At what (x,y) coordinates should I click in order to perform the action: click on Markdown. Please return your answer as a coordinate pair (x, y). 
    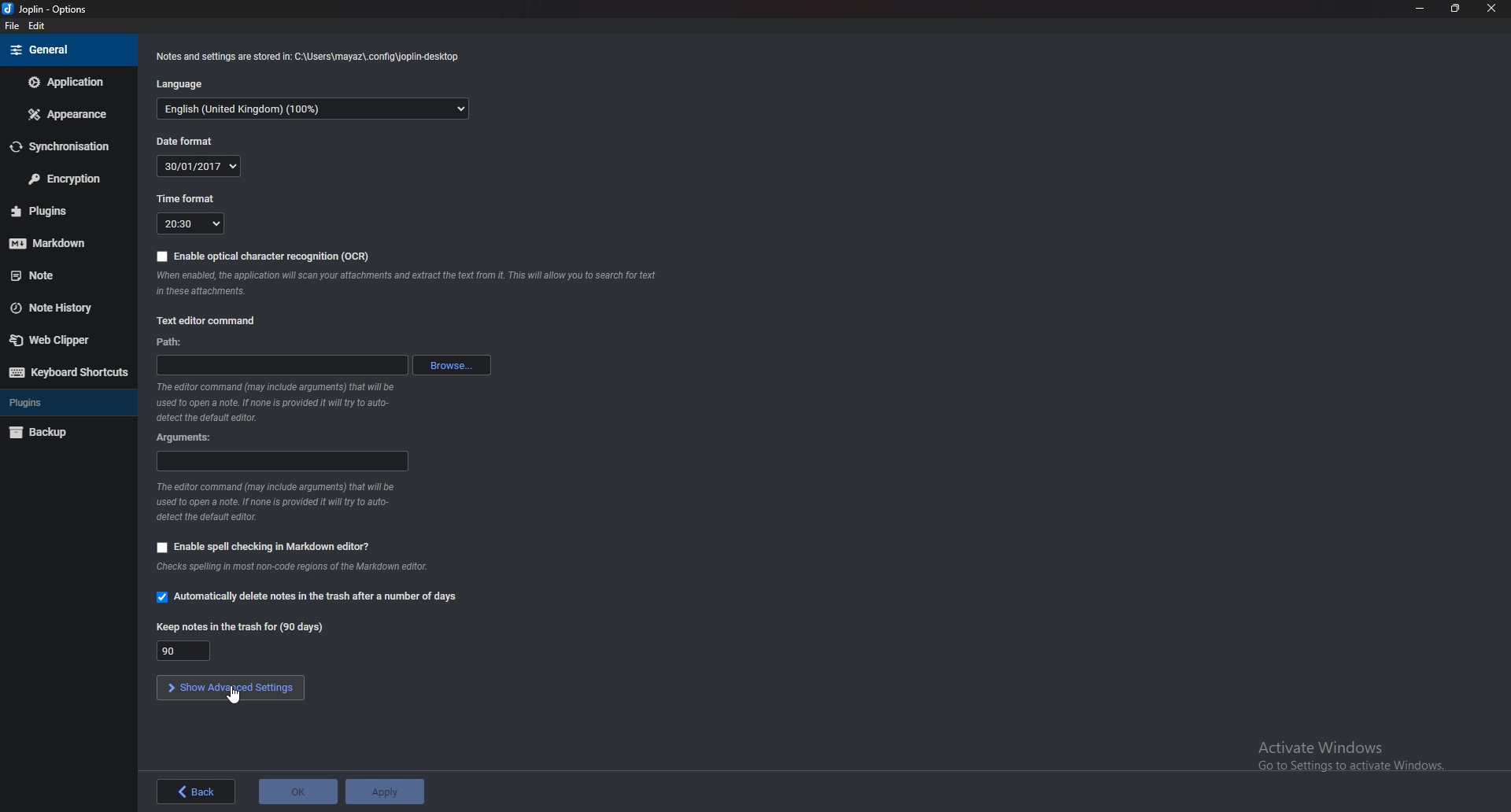
    Looking at the image, I should click on (59, 242).